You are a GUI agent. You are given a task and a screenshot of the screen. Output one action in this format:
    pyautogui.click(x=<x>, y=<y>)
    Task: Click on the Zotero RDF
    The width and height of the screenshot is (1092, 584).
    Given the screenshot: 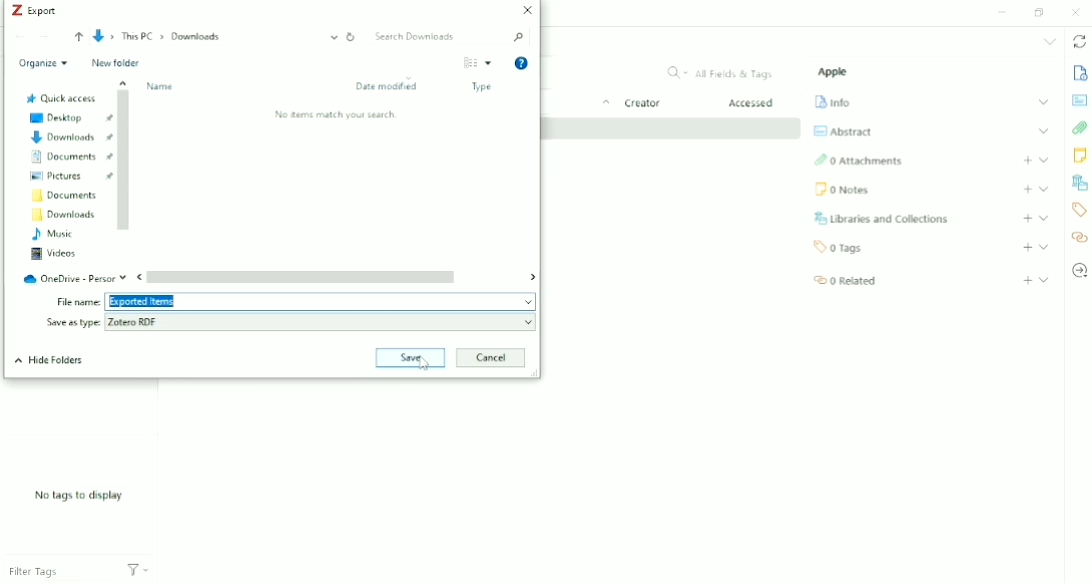 What is the action you would take?
    pyautogui.click(x=321, y=321)
    